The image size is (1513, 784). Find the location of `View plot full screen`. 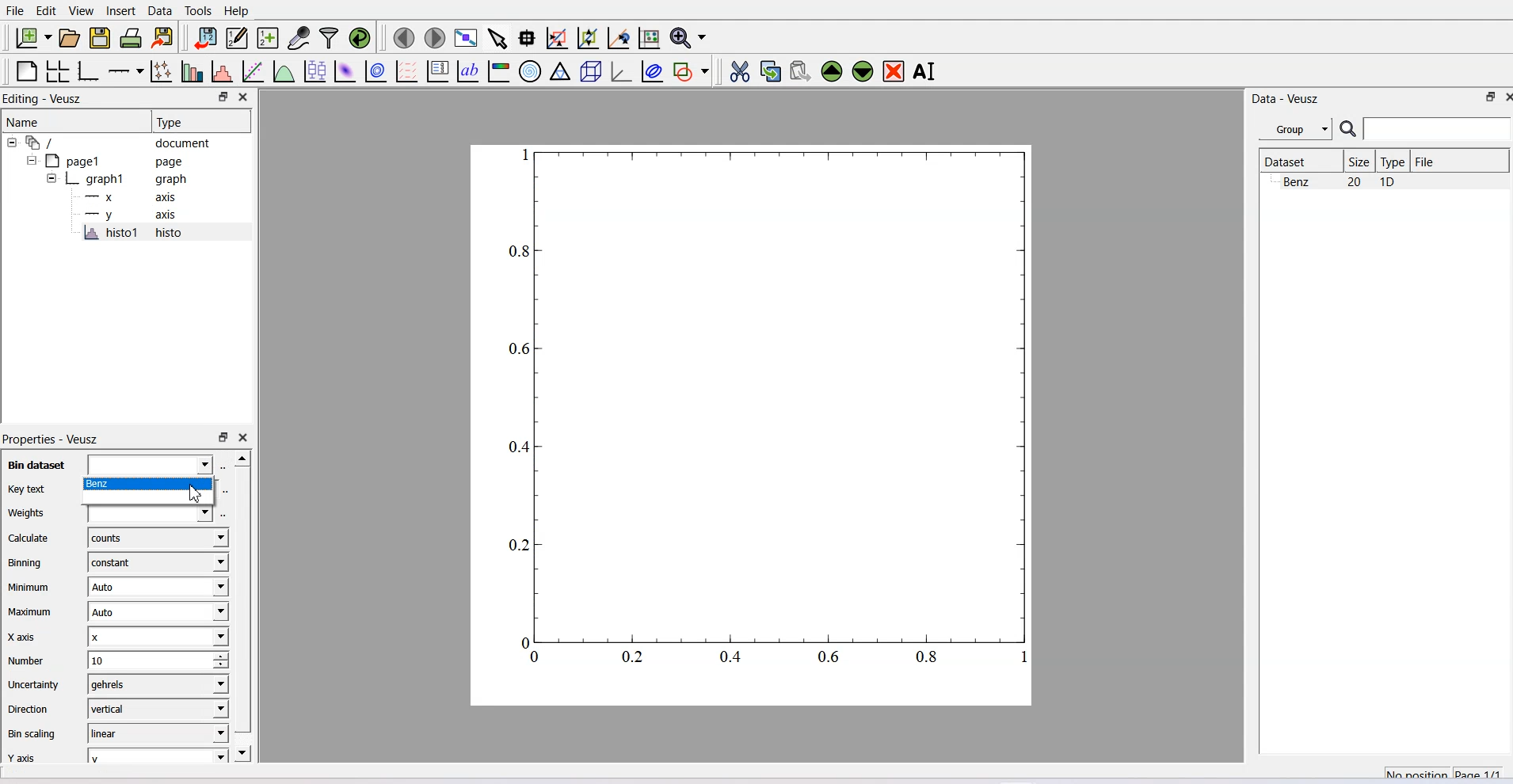

View plot full screen is located at coordinates (467, 39).